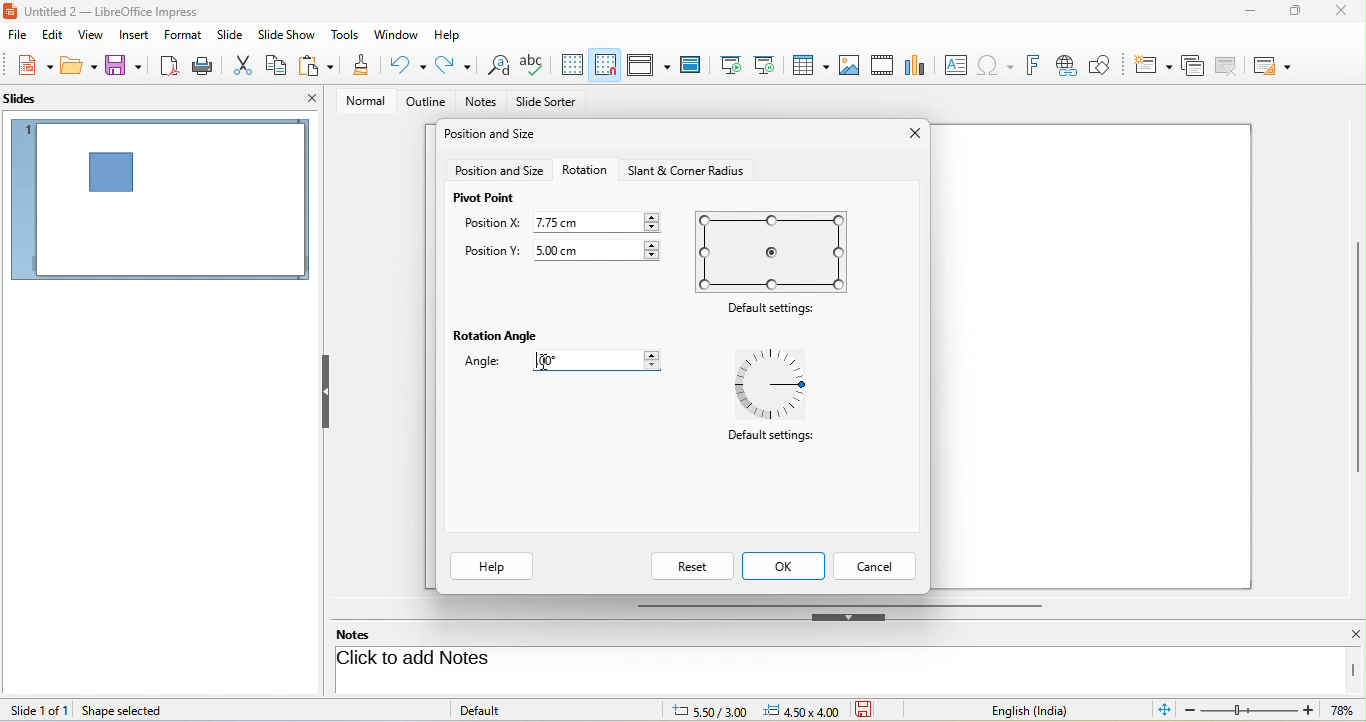 The image size is (1366, 722). I want to click on redo, so click(453, 66).